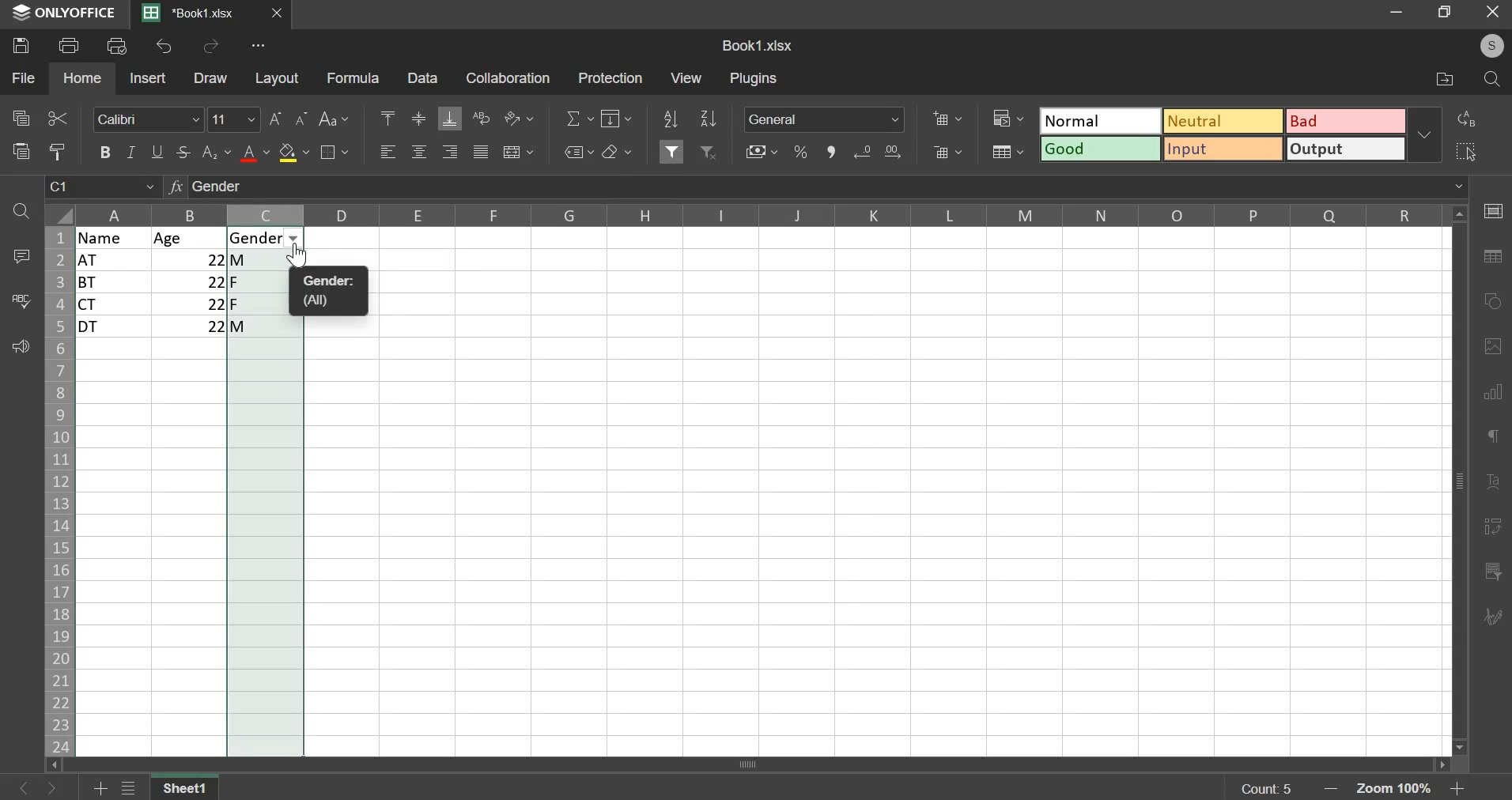 This screenshot has height=800, width=1512. I want to click on data, so click(421, 77).